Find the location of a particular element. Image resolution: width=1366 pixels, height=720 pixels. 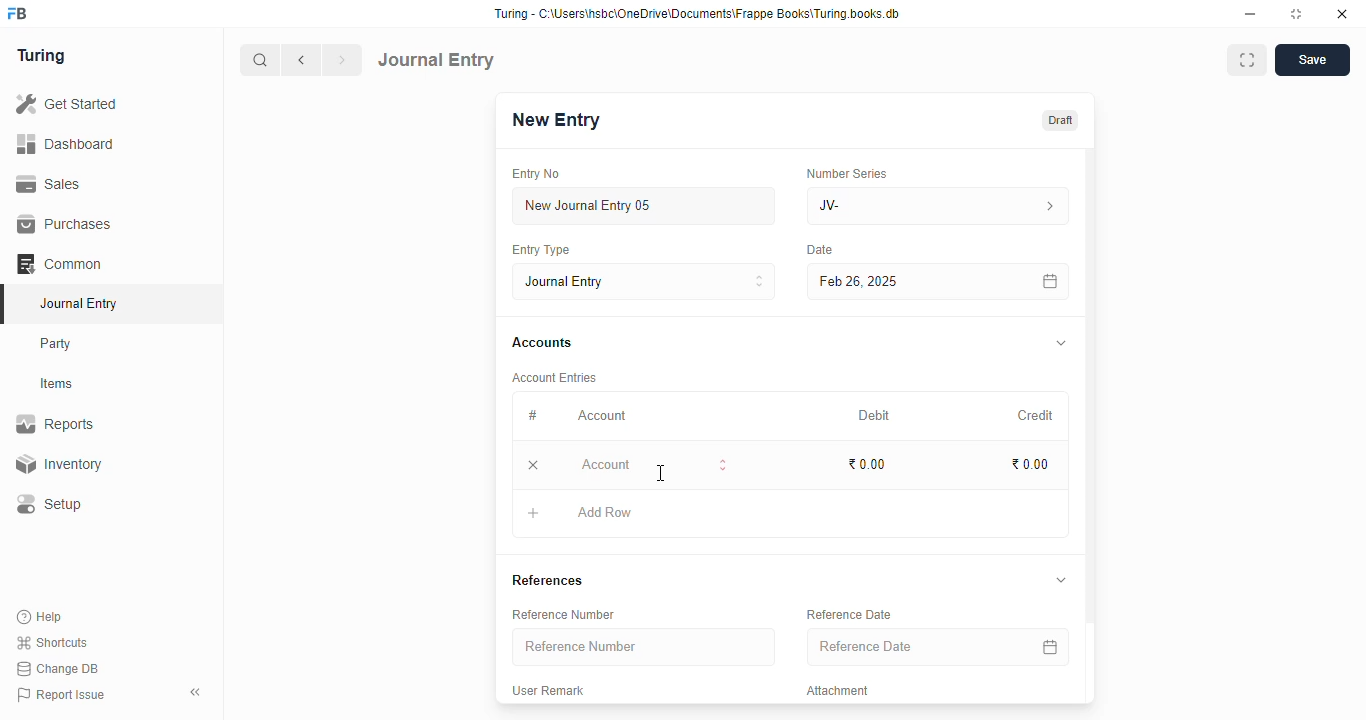

add row is located at coordinates (605, 512).